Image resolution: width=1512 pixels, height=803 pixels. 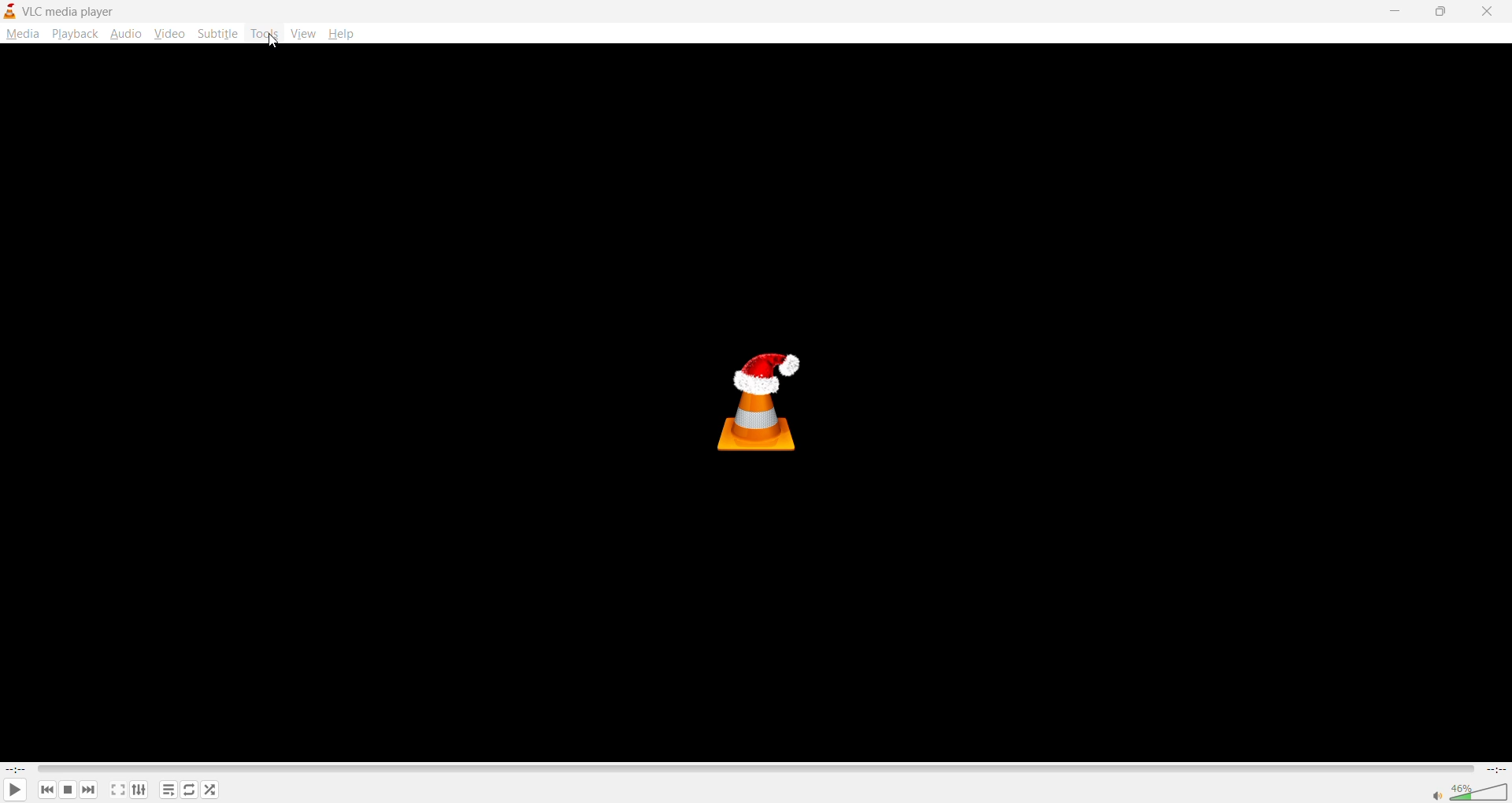 I want to click on playlist, so click(x=169, y=790).